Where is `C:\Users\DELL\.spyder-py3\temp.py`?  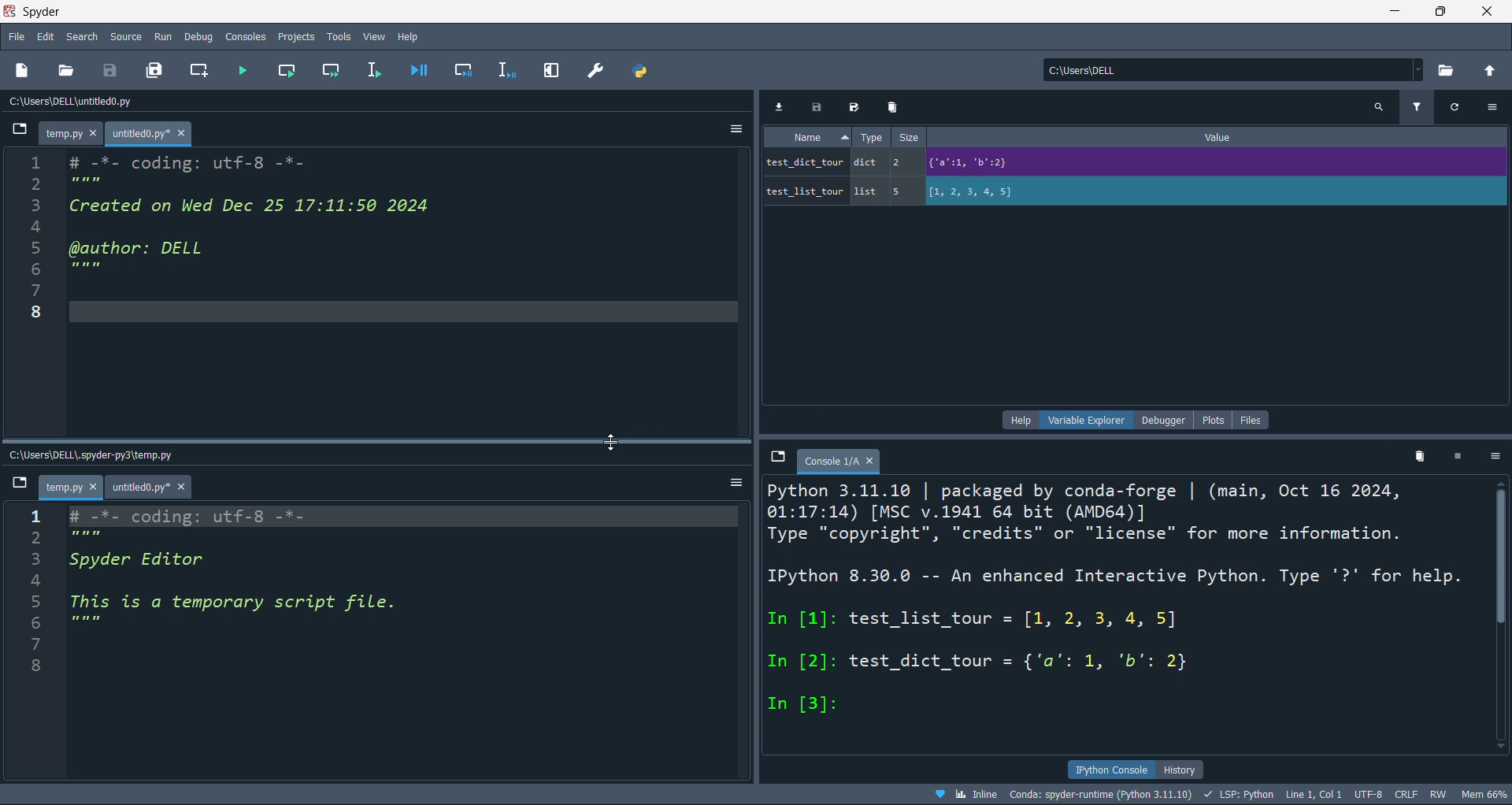 C:\Users\DELL\.spyder-py3\temp.py is located at coordinates (110, 453).